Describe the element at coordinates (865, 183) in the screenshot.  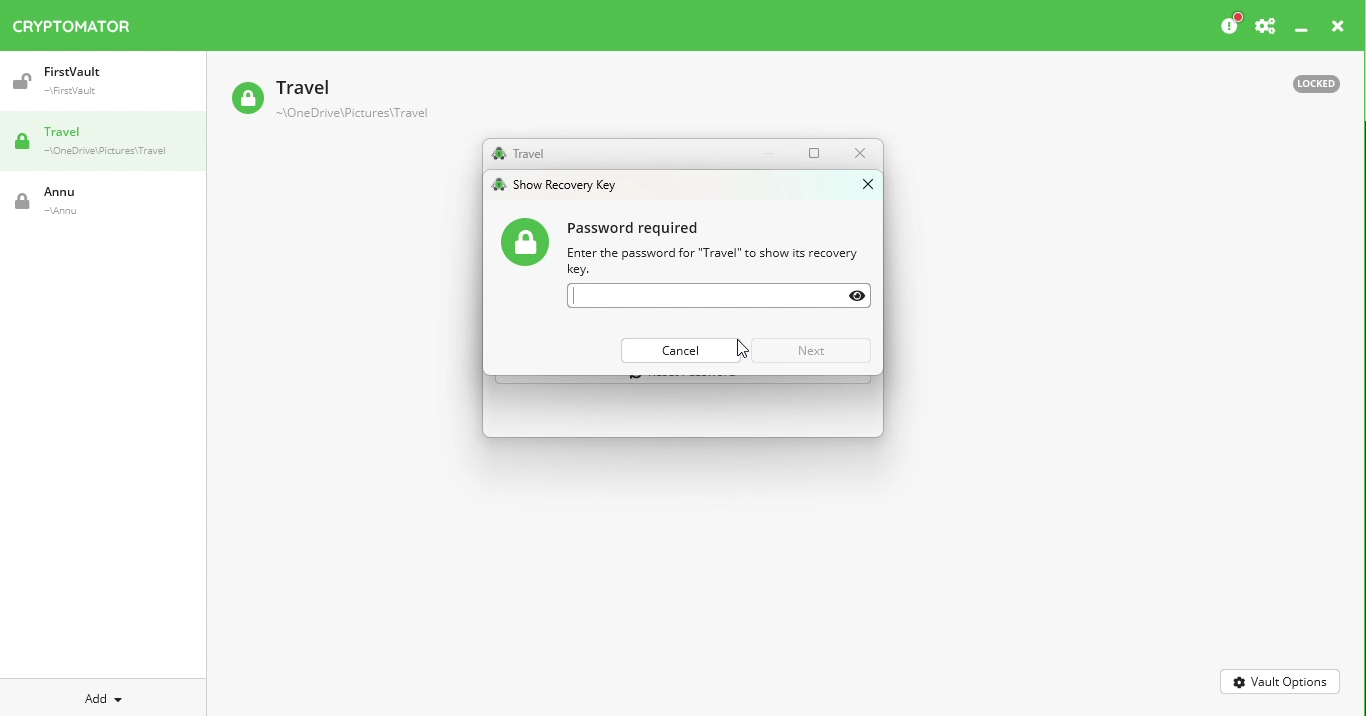
I see `close window` at that location.